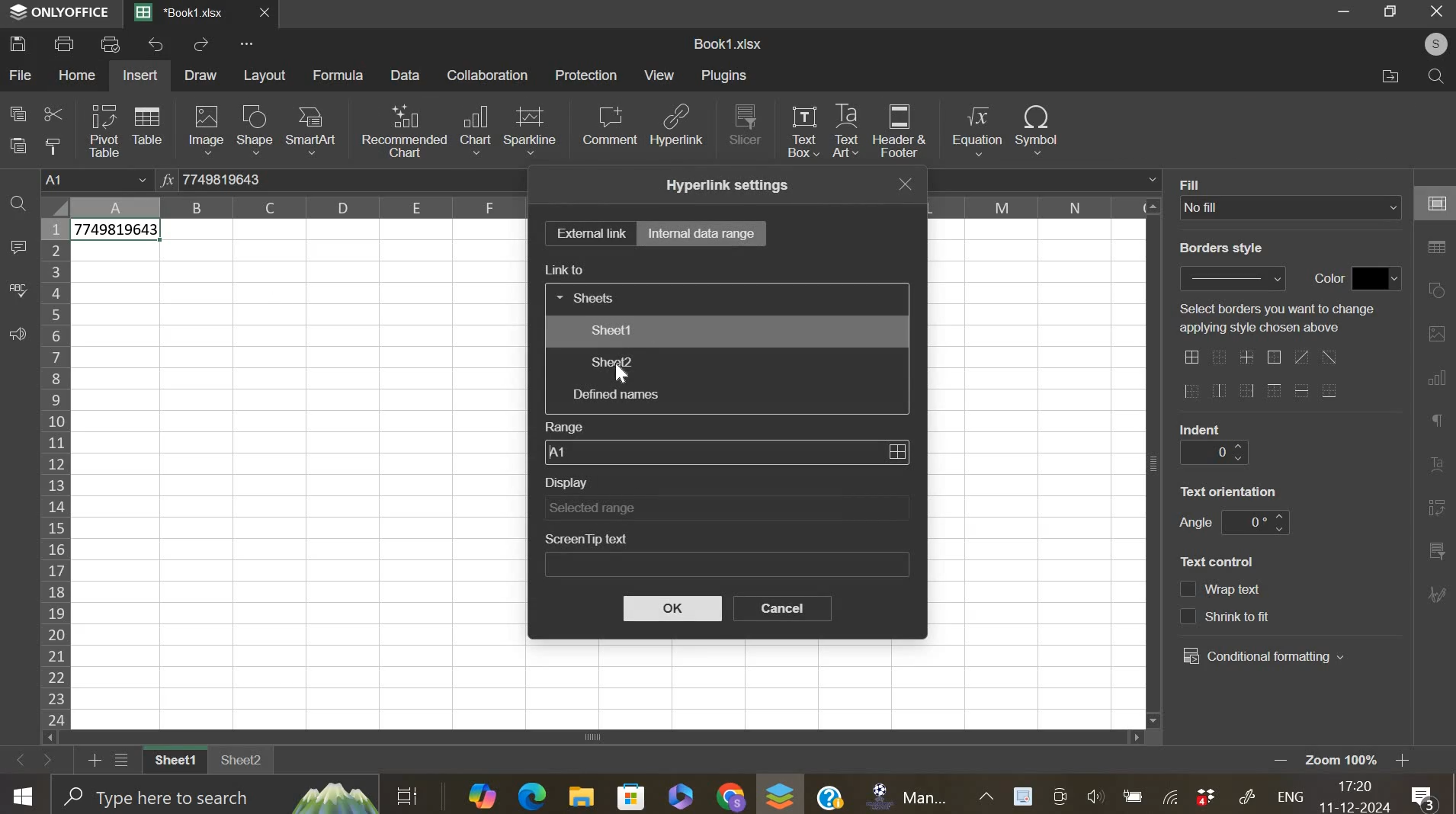 This screenshot has width=1456, height=814. Describe the element at coordinates (118, 232) in the screenshot. I see `data` at that location.